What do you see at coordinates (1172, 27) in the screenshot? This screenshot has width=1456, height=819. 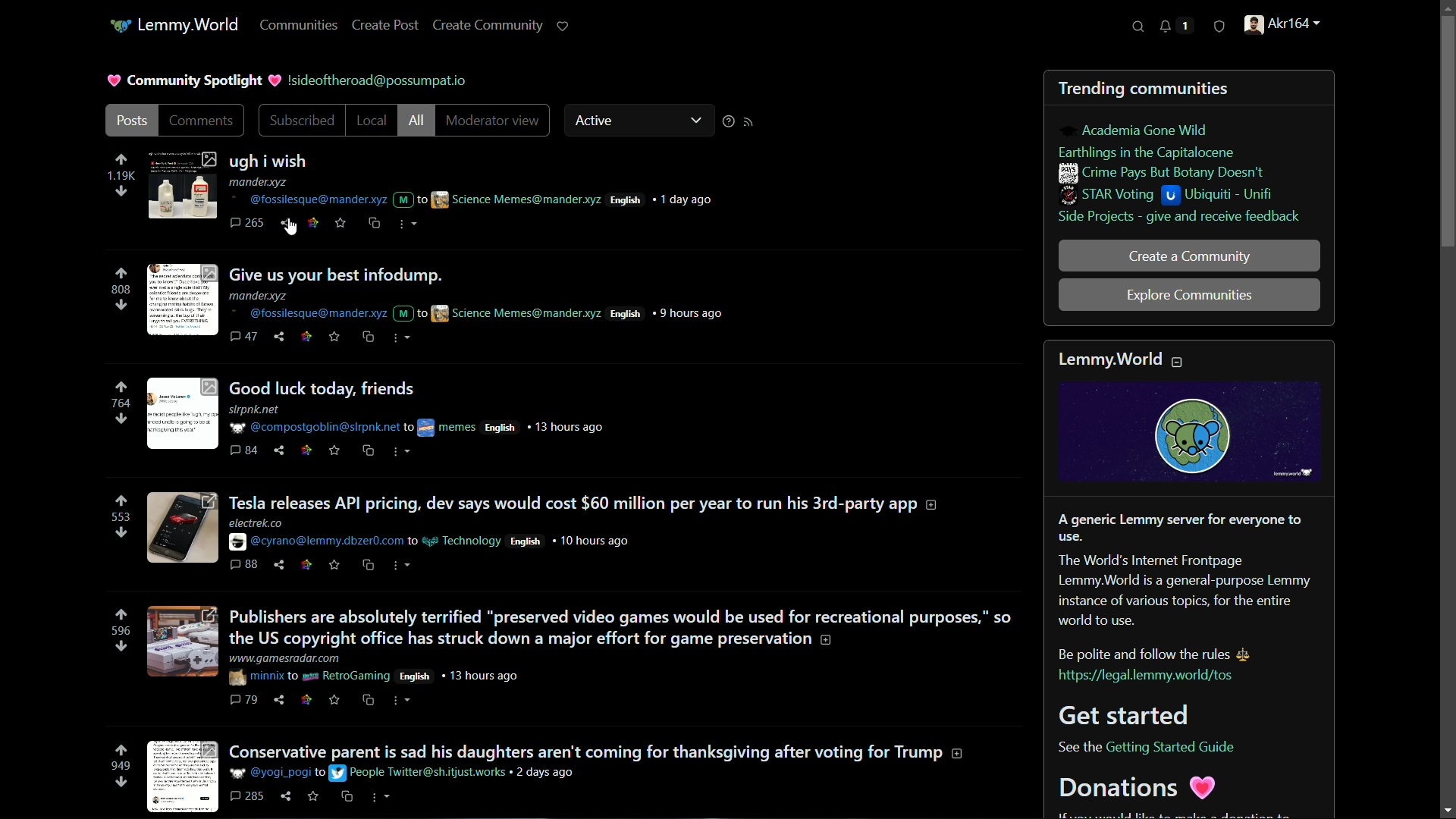 I see `notifications 1` at bounding box center [1172, 27].